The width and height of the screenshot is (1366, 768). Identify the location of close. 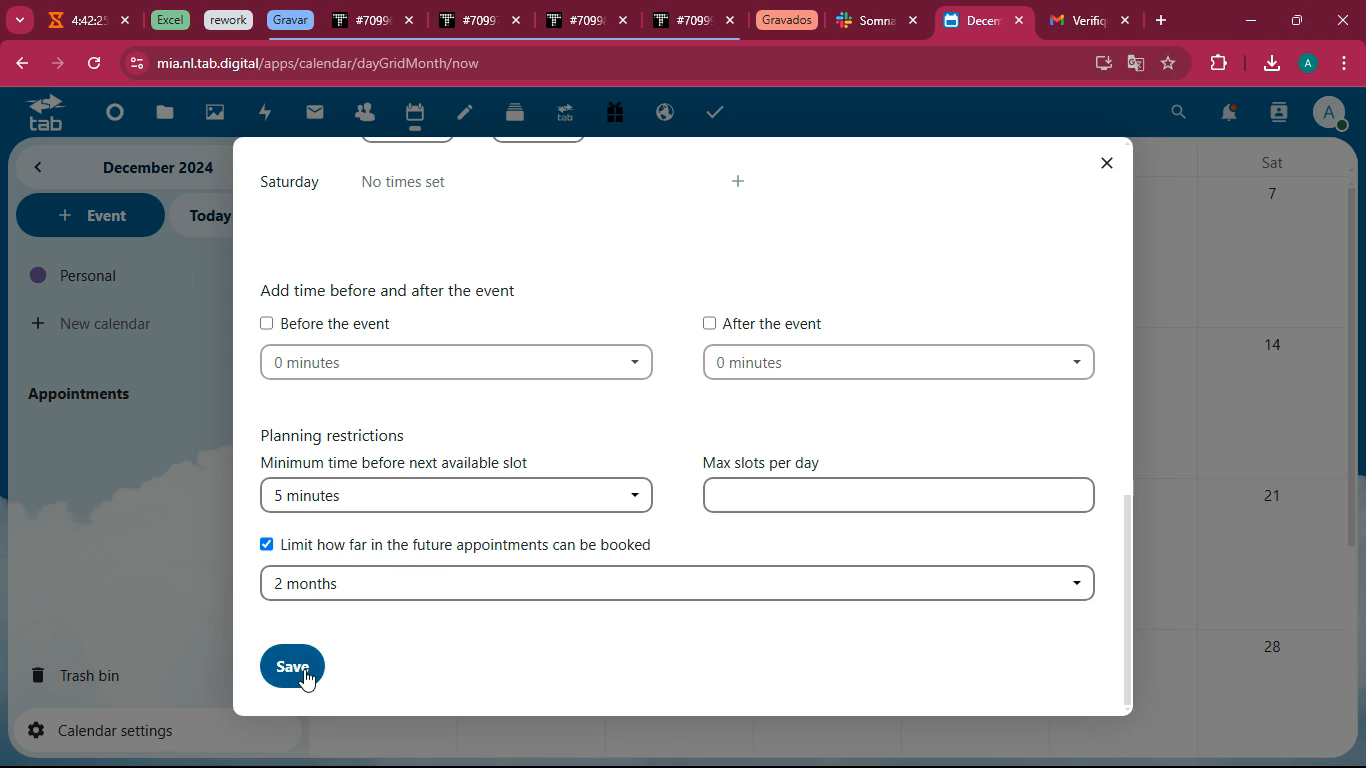
(919, 21).